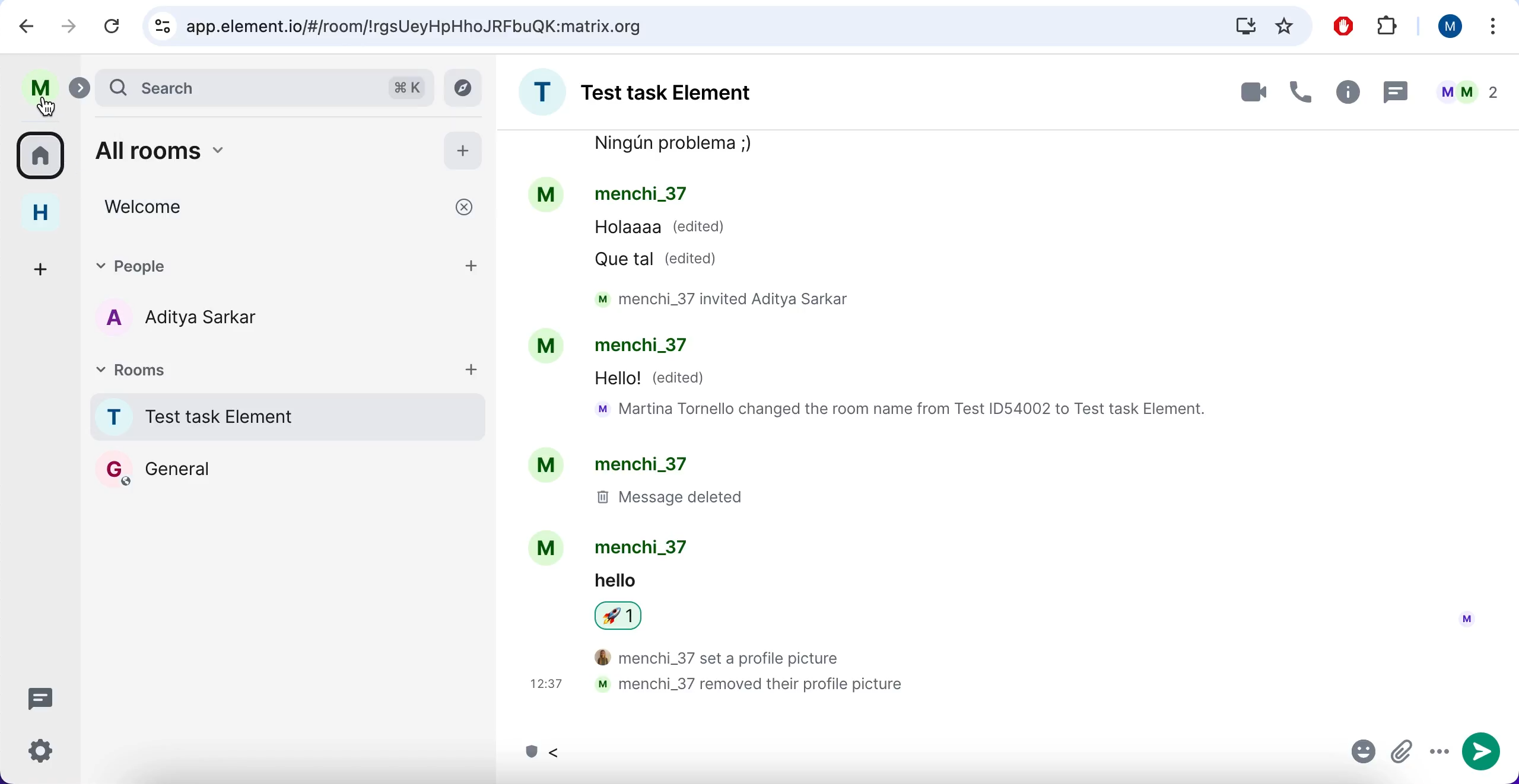 Image resolution: width=1519 pixels, height=784 pixels. What do you see at coordinates (258, 266) in the screenshot?
I see `people` at bounding box center [258, 266].